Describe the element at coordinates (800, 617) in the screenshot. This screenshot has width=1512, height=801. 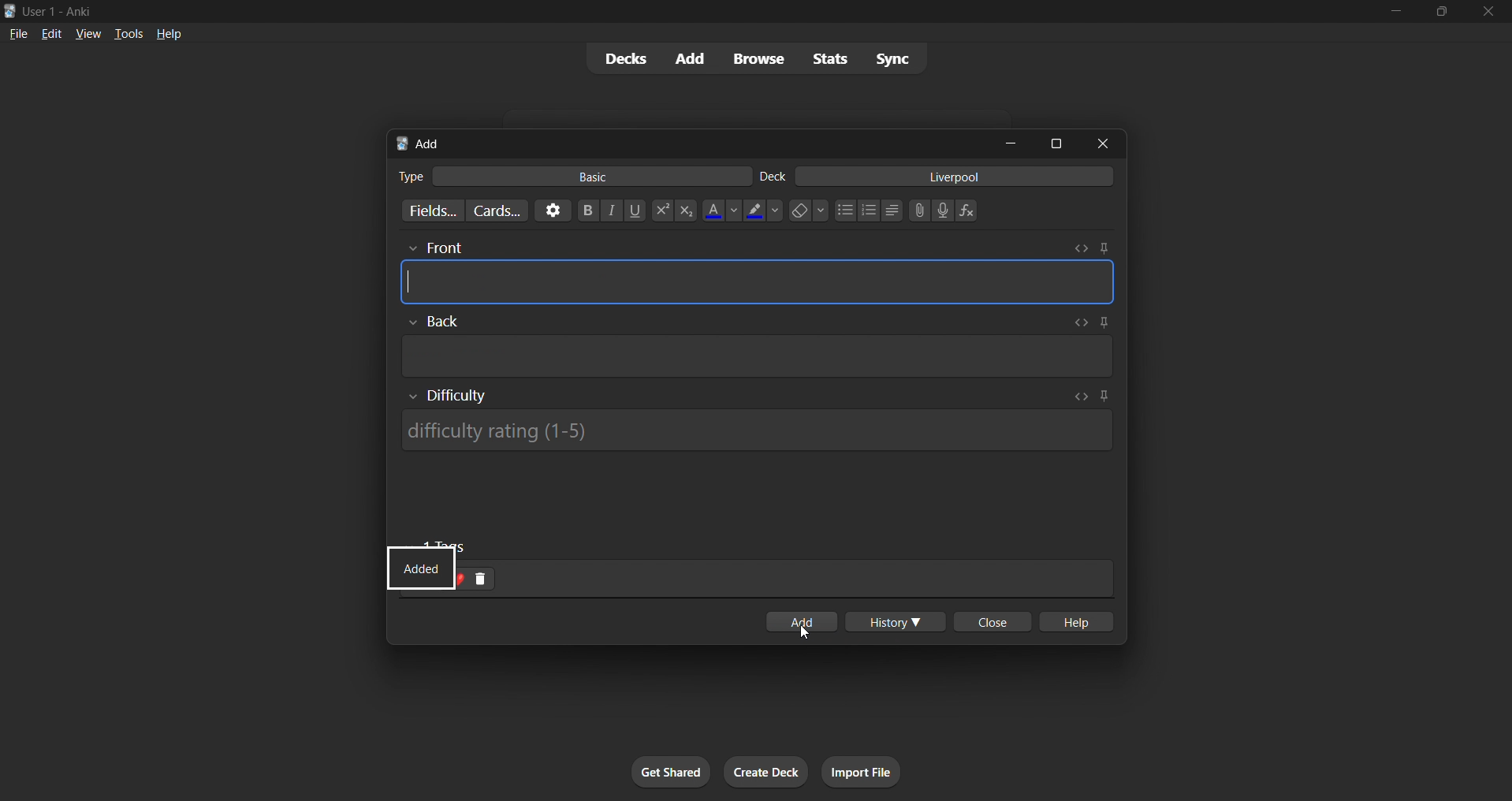
I see `add` at that location.